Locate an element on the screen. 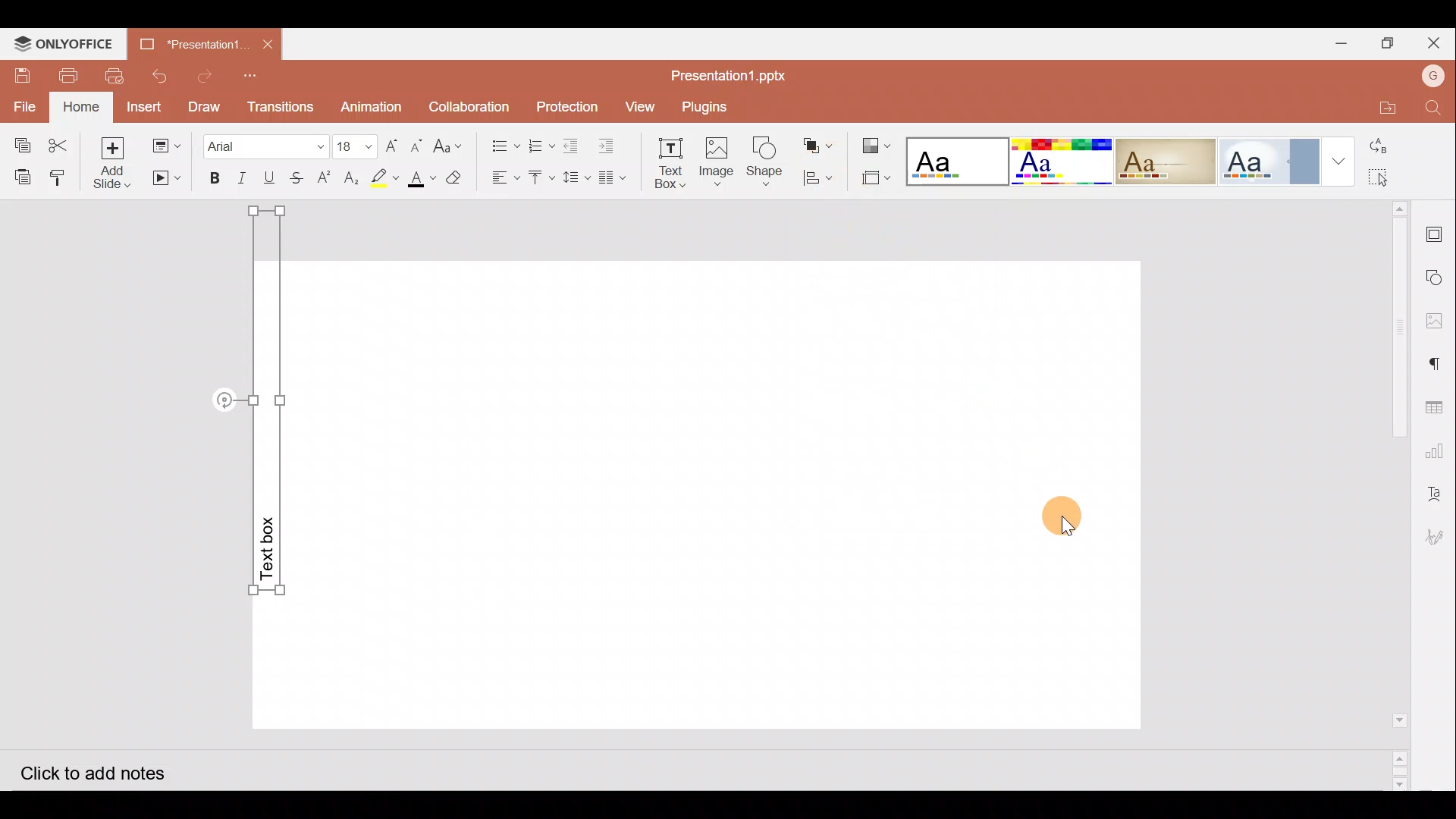 The image size is (1456, 819). Superscript is located at coordinates (328, 179).